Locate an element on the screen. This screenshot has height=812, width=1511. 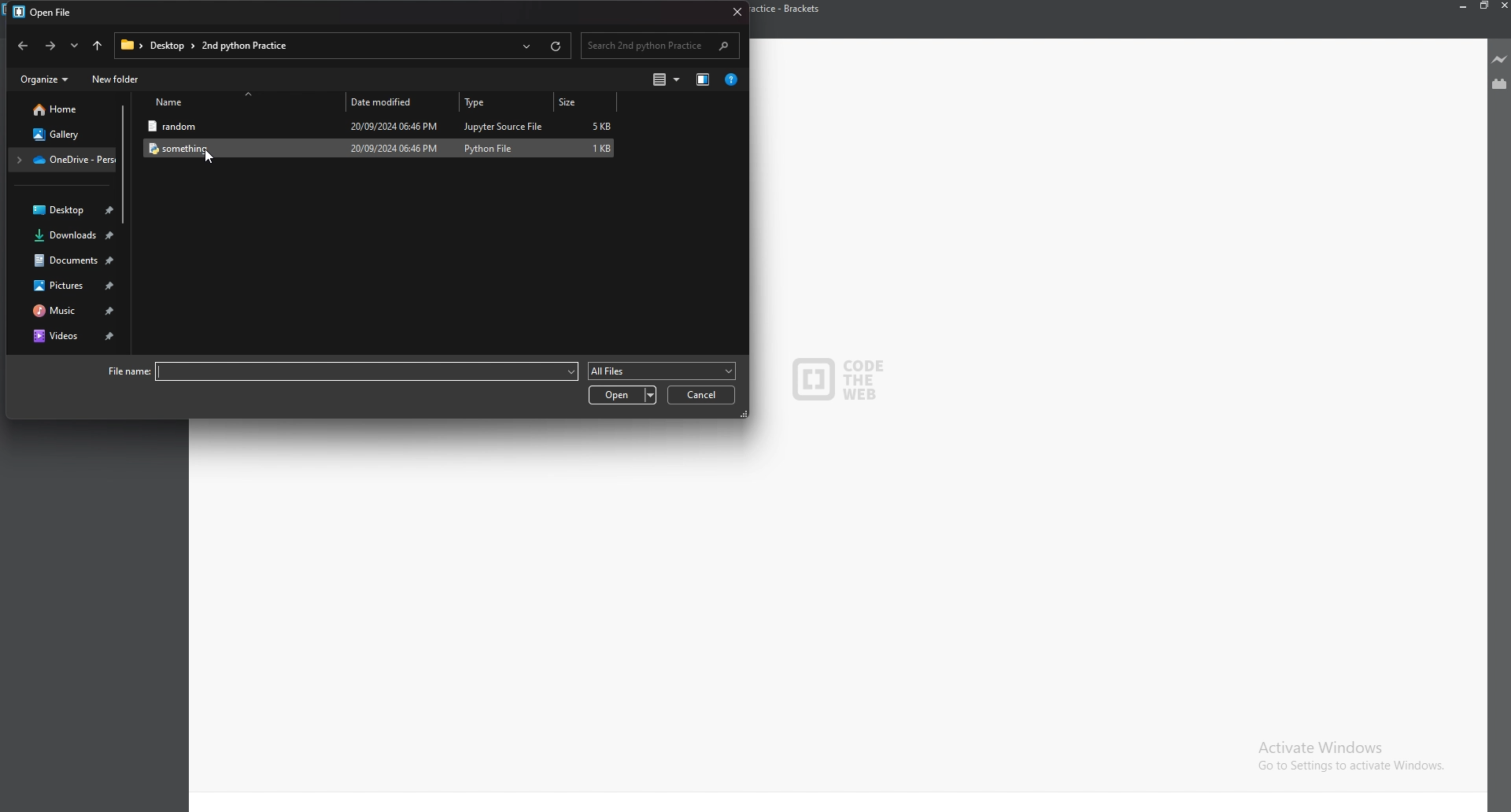
gallery is located at coordinates (57, 135).